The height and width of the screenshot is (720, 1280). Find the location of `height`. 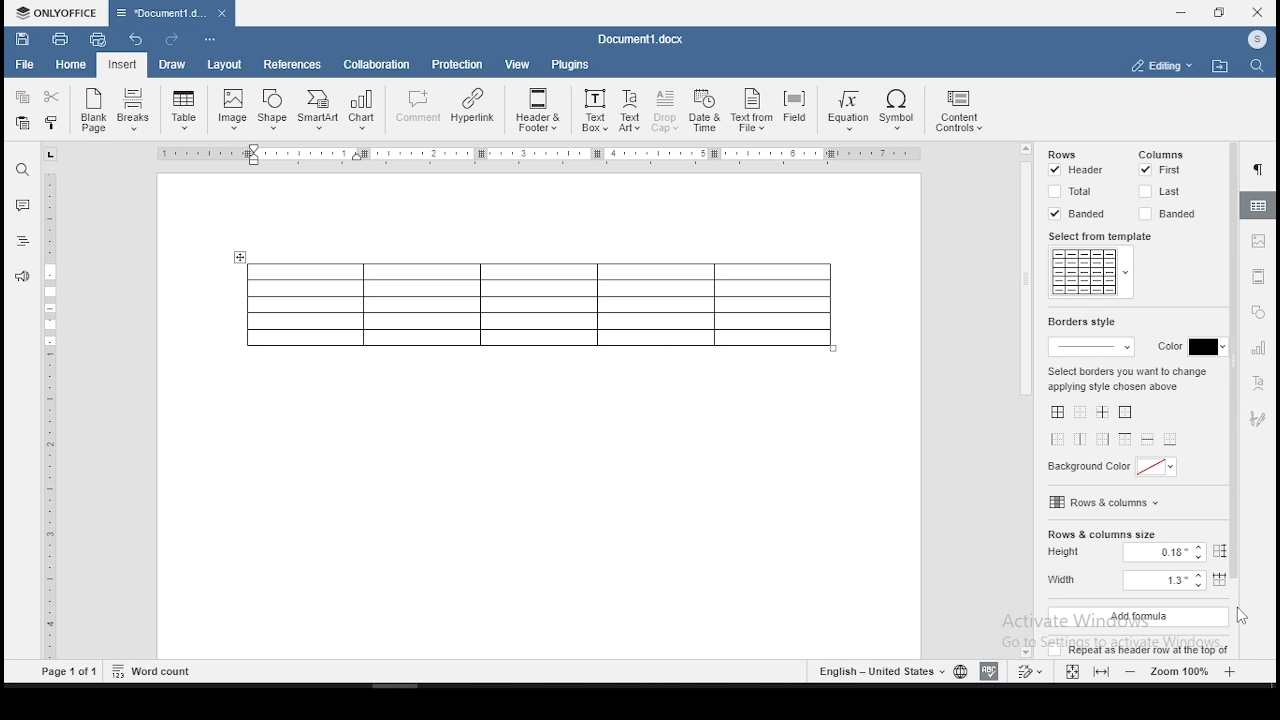

height is located at coordinates (1137, 553).